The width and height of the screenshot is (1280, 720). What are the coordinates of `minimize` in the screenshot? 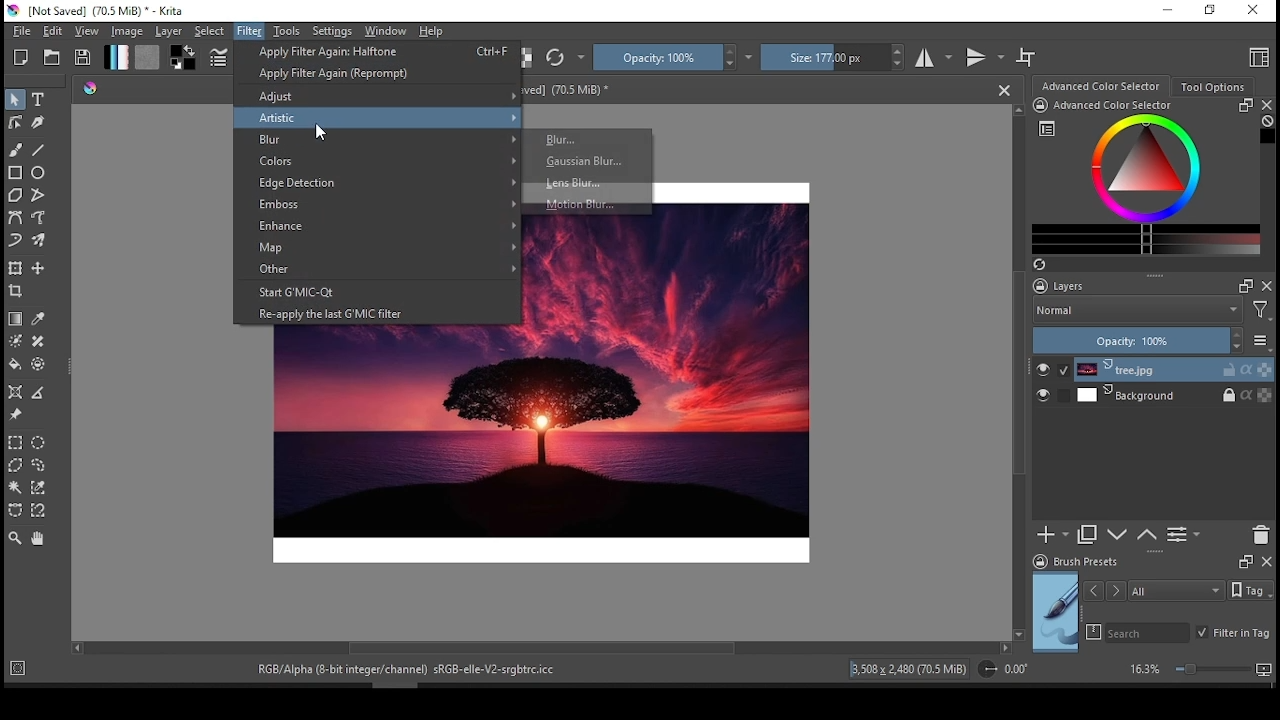 It's located at (1166, 10).